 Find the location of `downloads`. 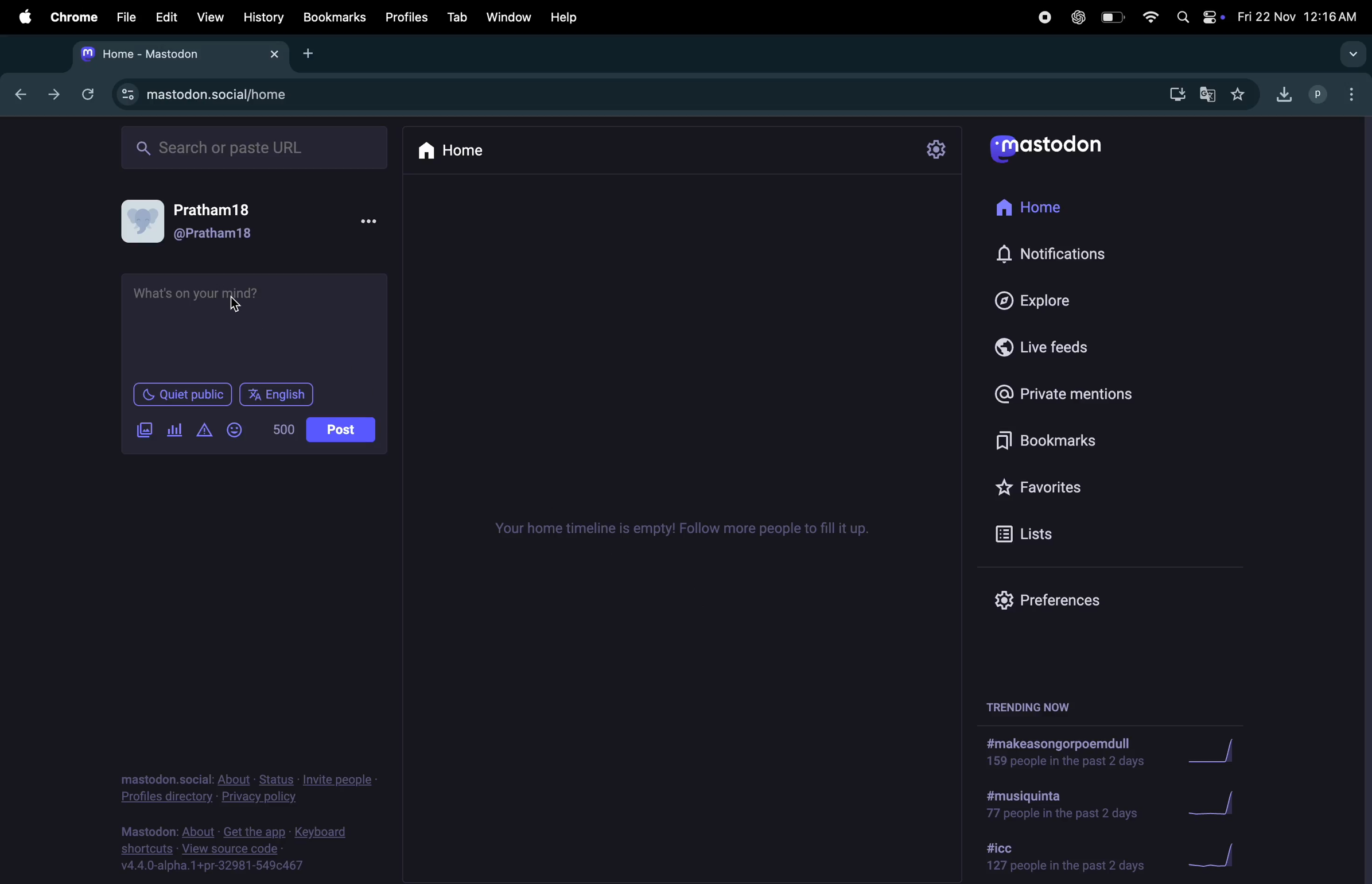

downloads is located at coordinates (1280, 97).